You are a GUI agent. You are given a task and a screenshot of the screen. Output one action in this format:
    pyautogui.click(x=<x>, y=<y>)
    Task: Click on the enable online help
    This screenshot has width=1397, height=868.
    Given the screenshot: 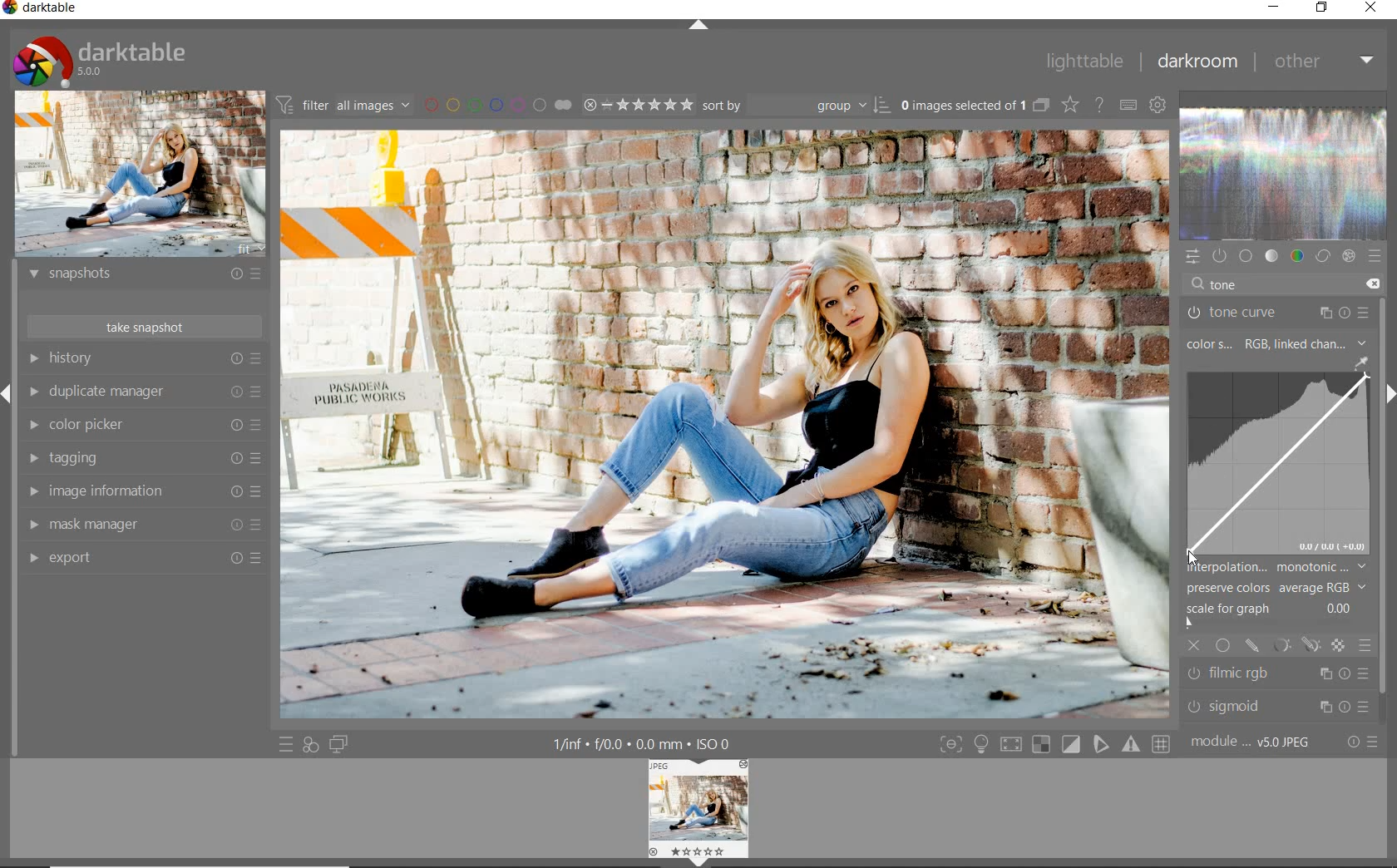 What is the action you would take?
    pyautogui.click(x=1100, y=106)
    